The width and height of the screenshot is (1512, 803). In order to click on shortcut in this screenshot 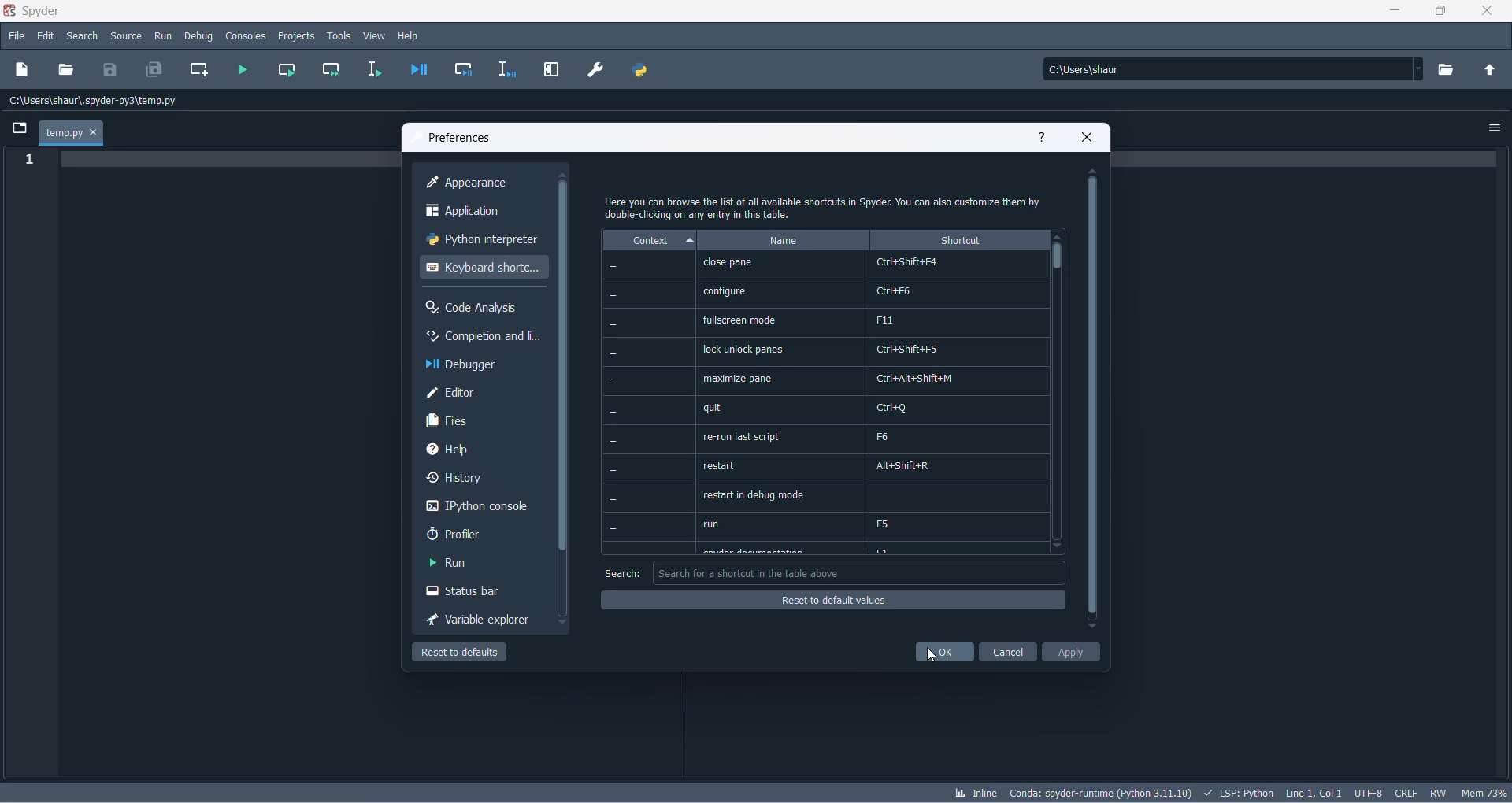, I will do `click(961, 239)`.